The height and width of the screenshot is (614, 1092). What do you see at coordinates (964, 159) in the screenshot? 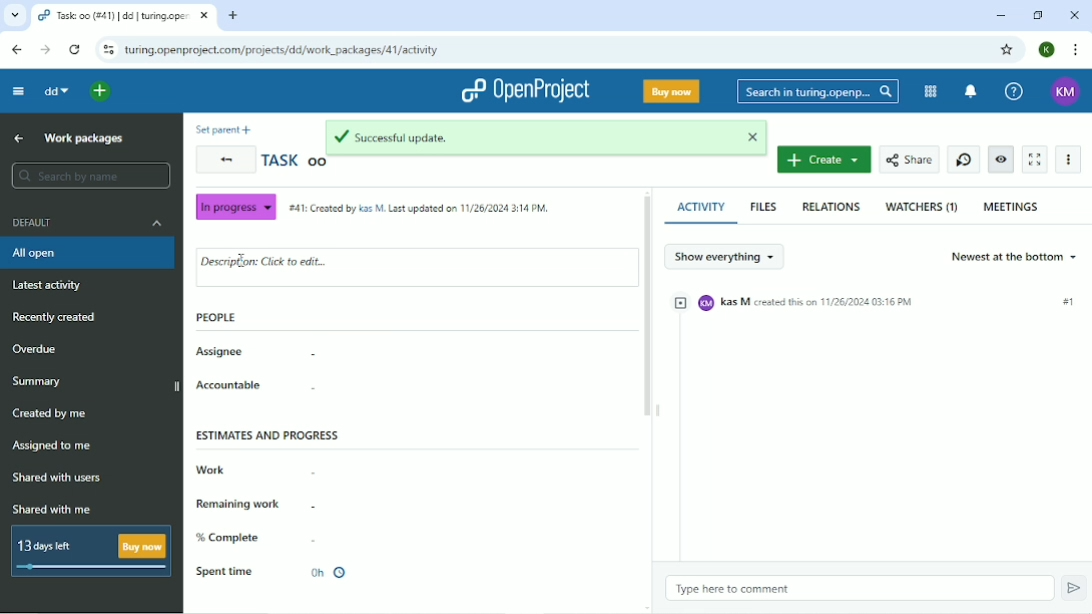
I see `Start new timer` at bounding box center [964, 159].